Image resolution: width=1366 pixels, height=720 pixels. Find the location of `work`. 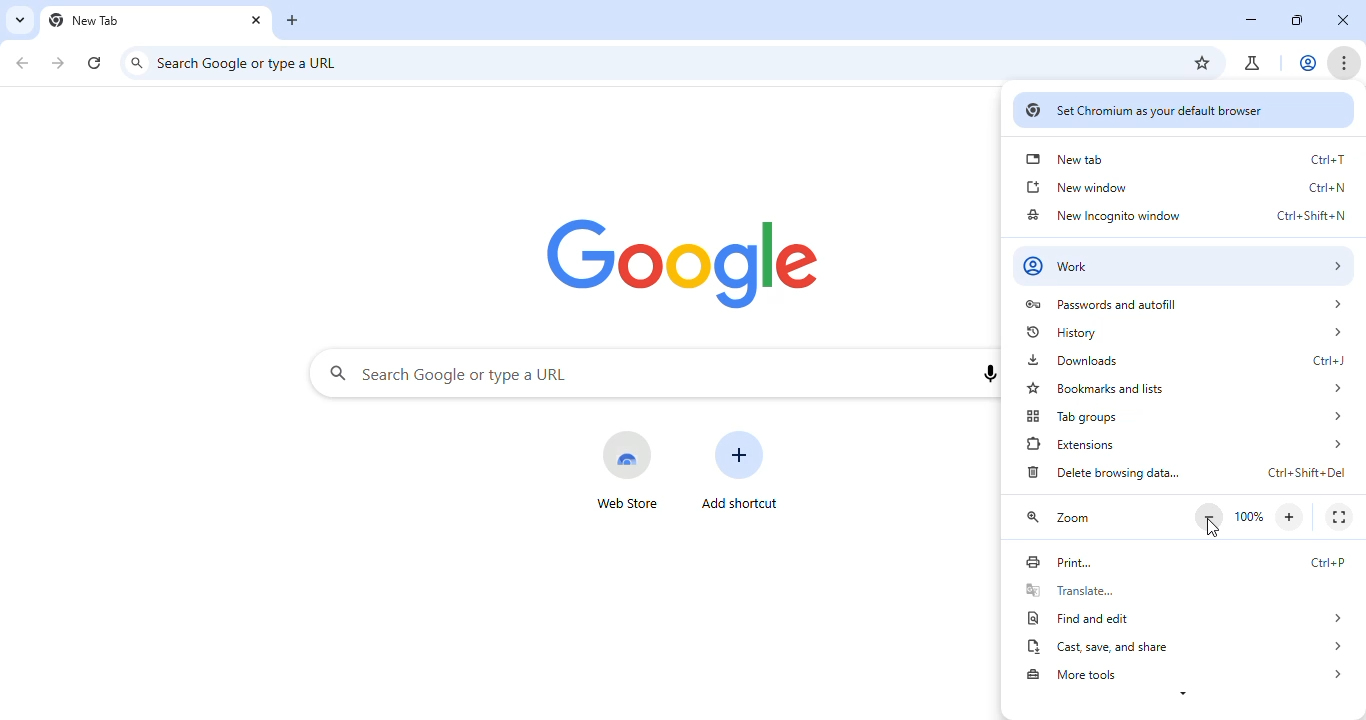

work is located at coordinates (1185, 265).